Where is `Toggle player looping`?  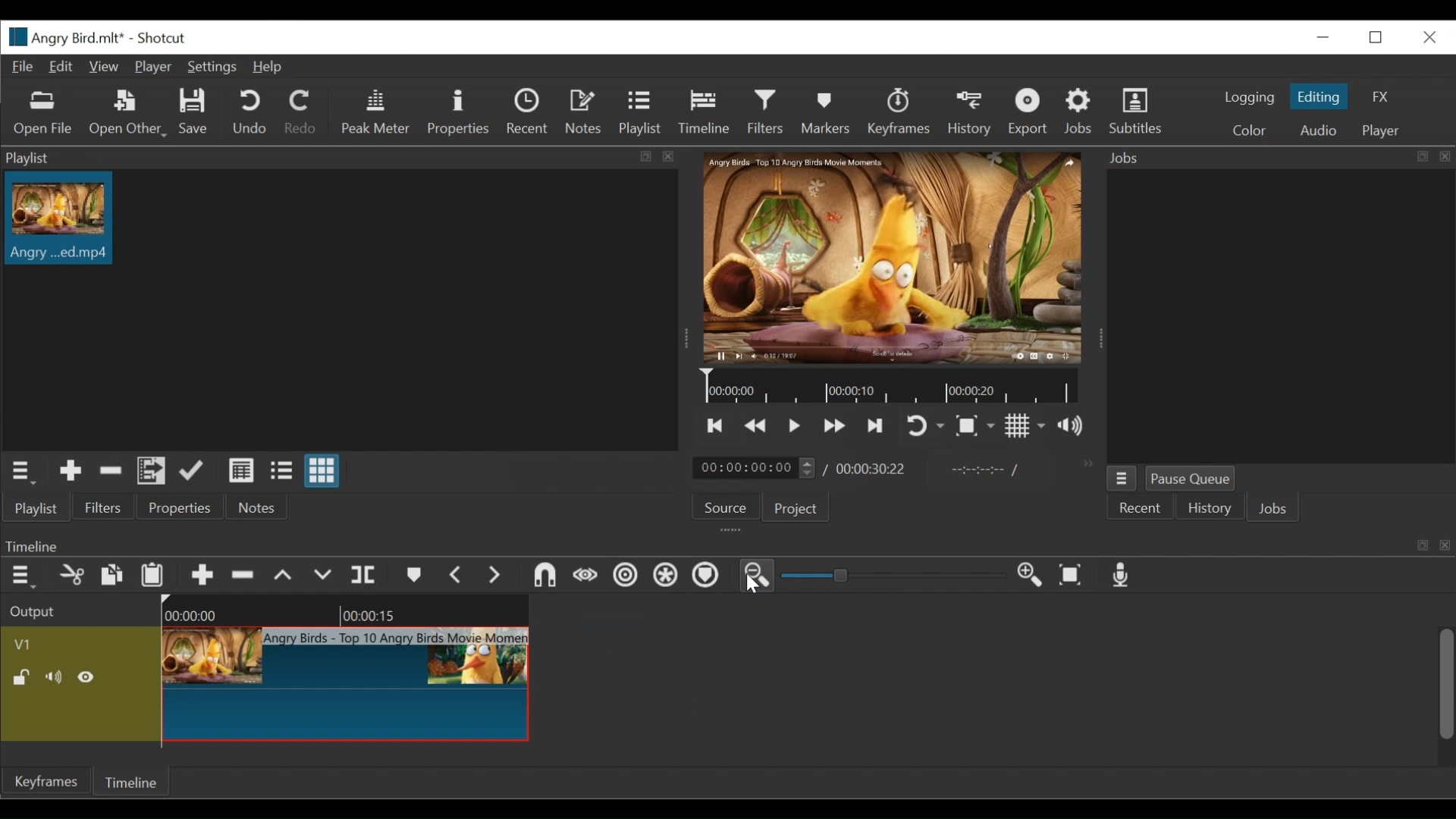 Toggle player looping is located at coordinates (923, 425).